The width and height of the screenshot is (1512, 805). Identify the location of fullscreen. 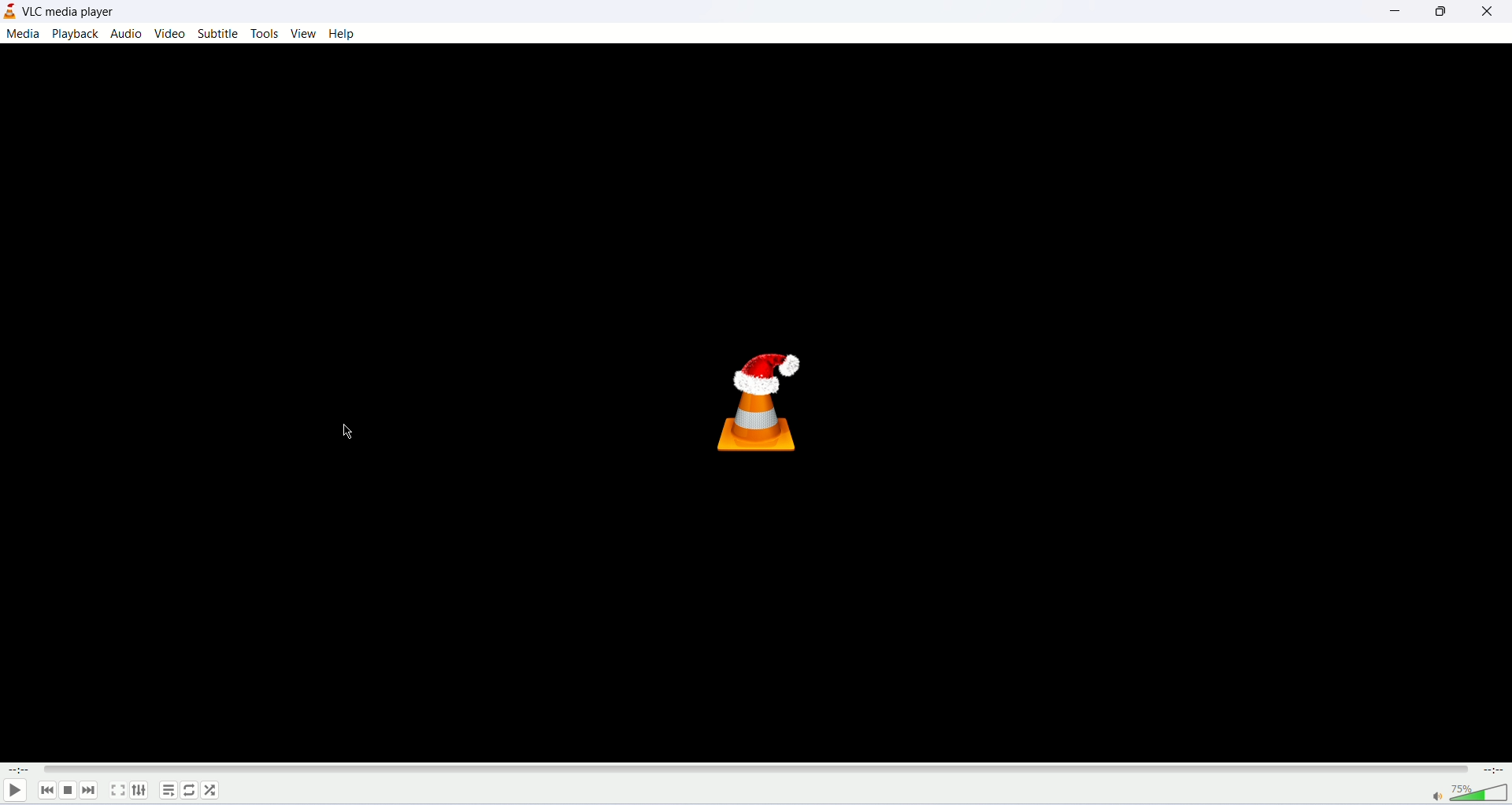
(116, 791).